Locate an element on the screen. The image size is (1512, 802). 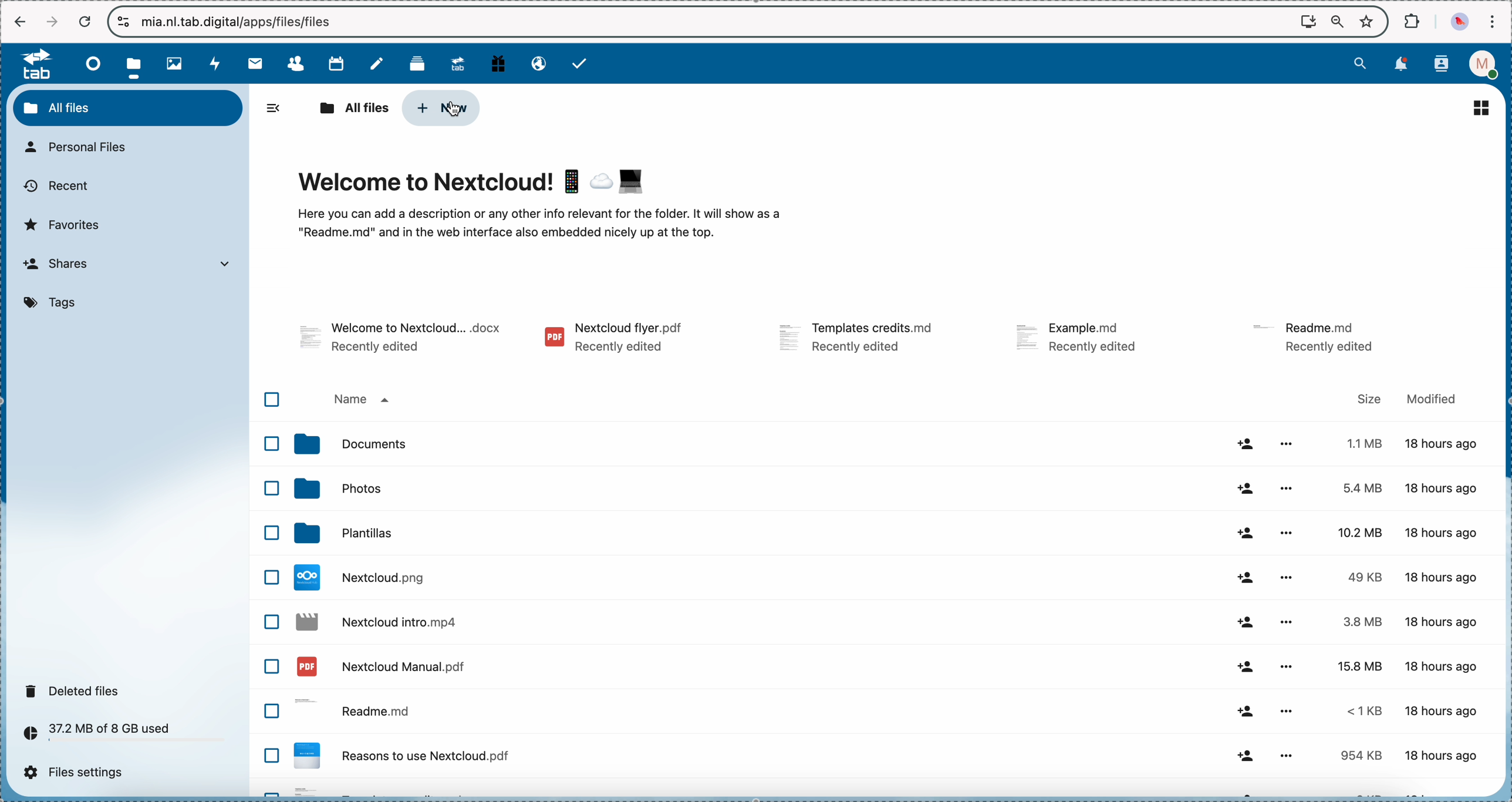
file is located at coordinates (402, 339).